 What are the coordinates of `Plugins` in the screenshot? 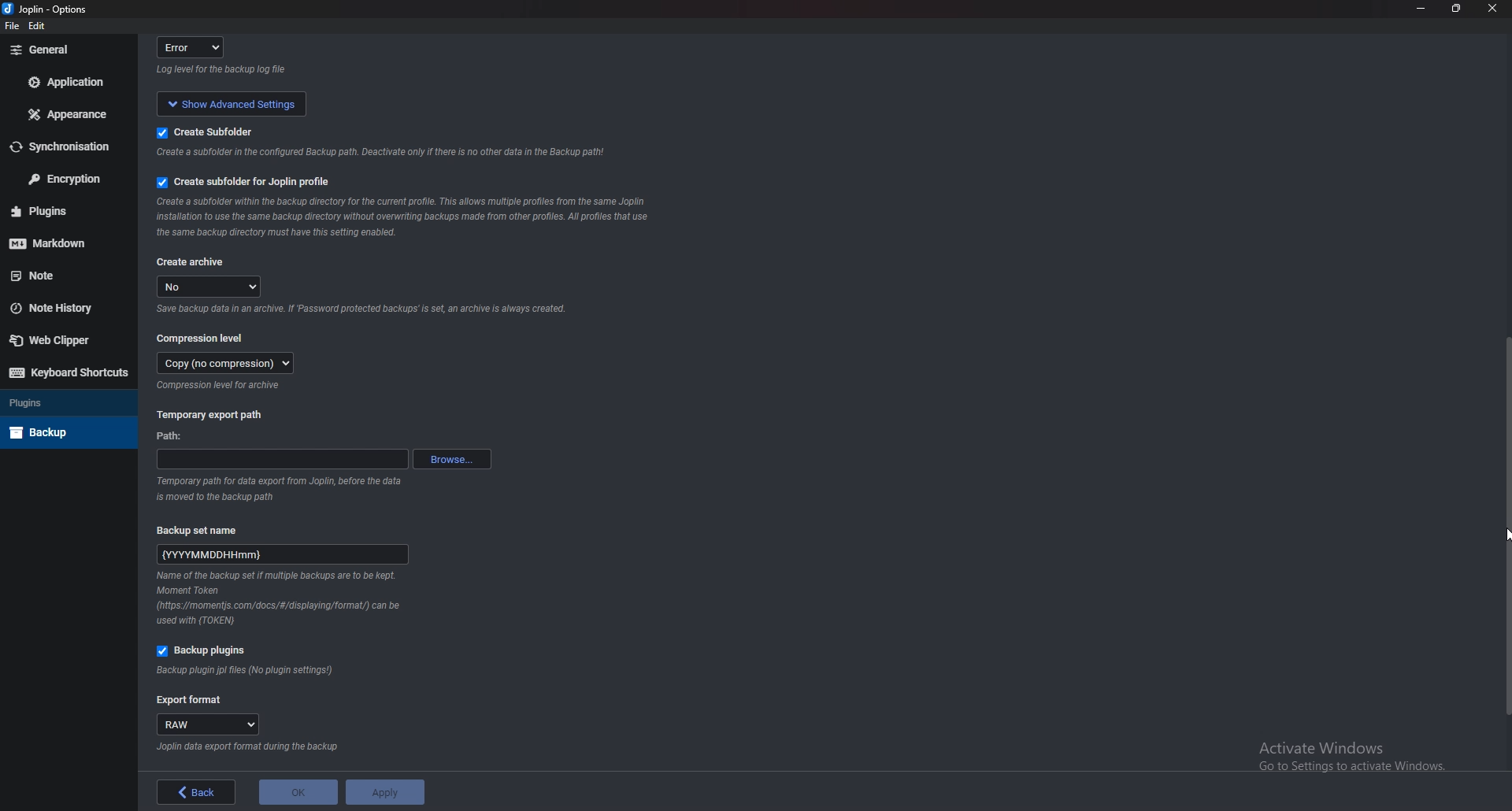 It's located at (61, 211).